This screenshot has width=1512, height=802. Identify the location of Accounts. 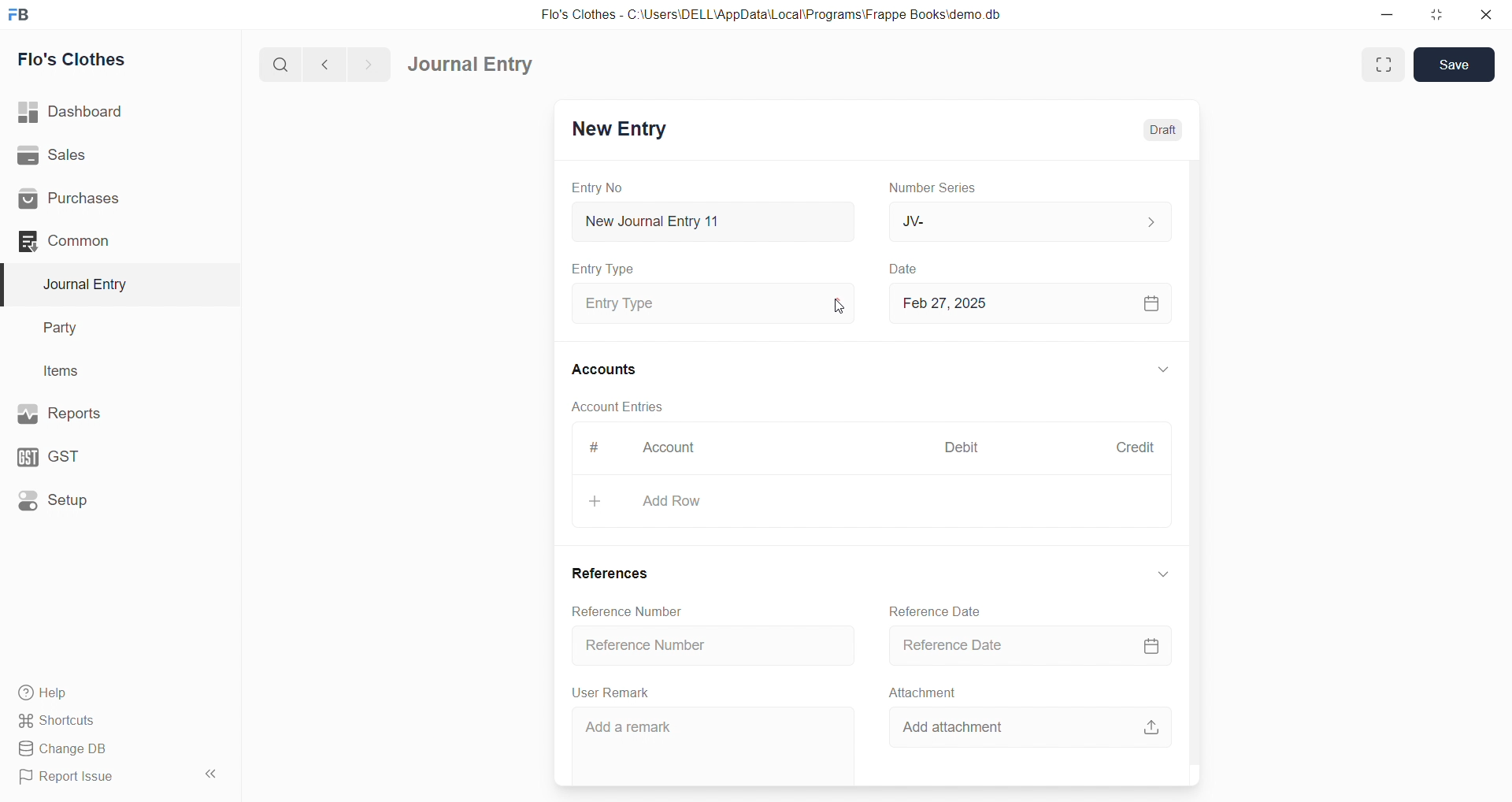
(605, 370).